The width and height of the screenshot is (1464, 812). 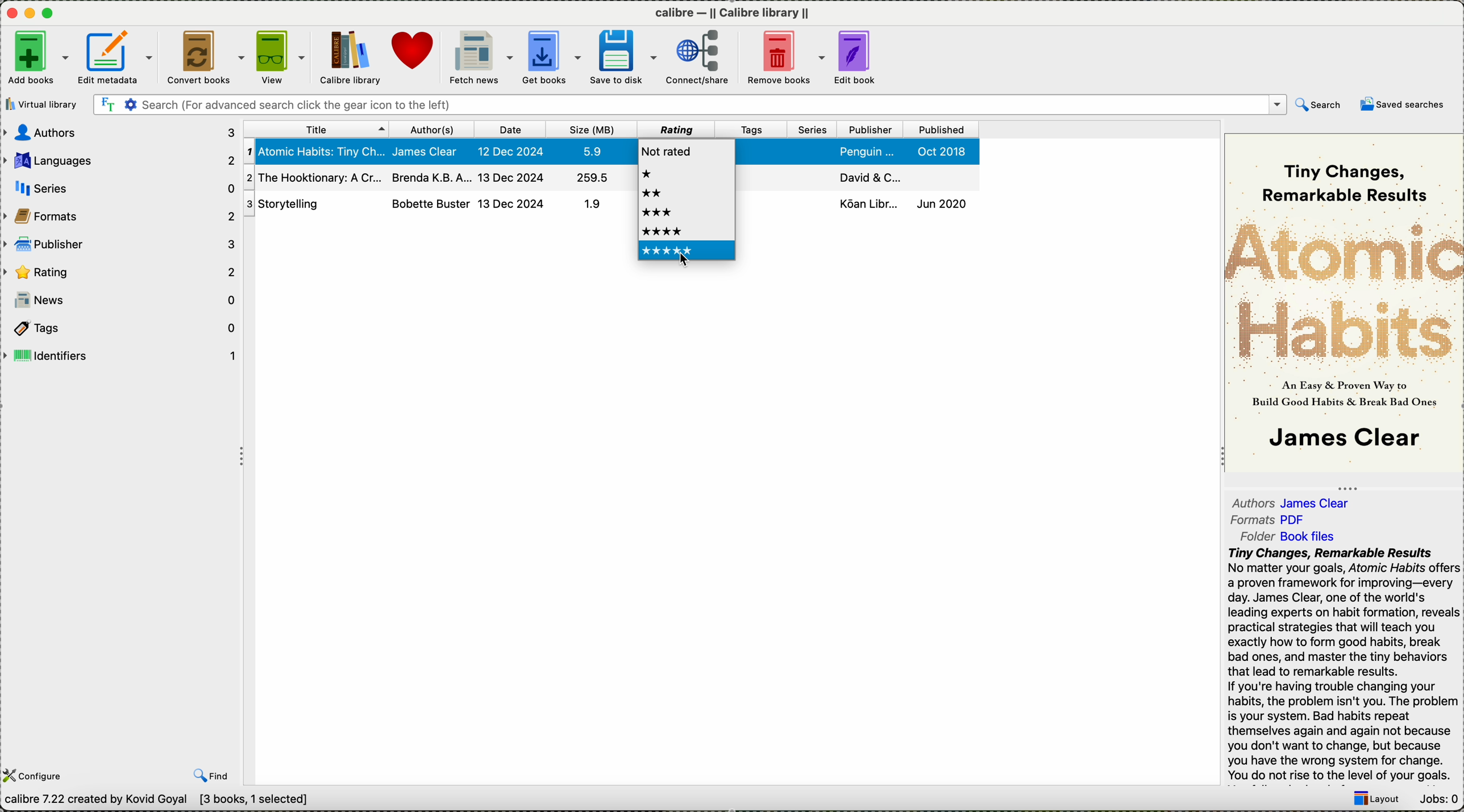 What do you see at coordinates (590, 179) in the screenshot?
I see `259.5` at bounding box center [590, 179].